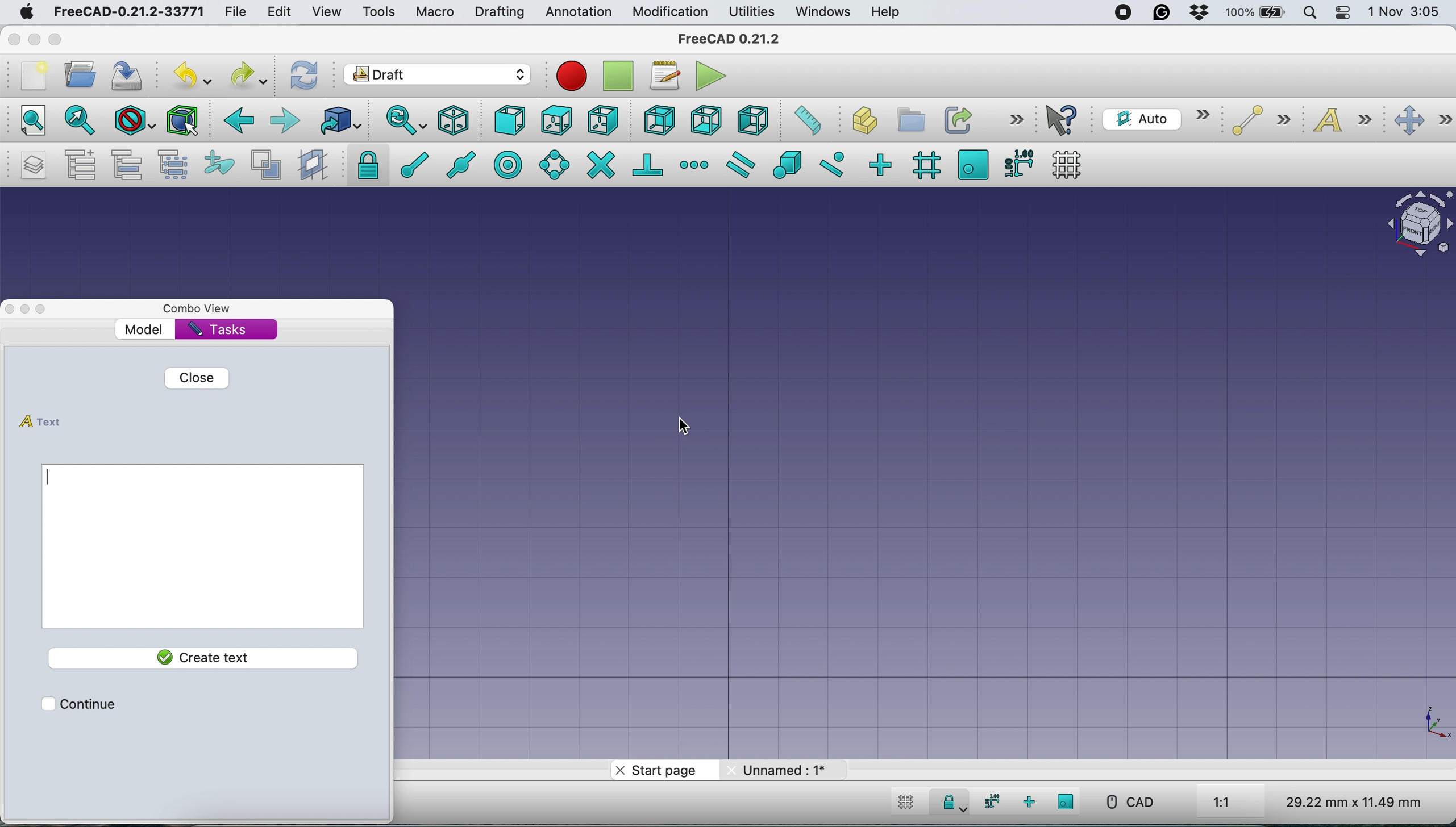 The image size is (1456, 827). I want to click on xy coordinate, so click(1426, 721).